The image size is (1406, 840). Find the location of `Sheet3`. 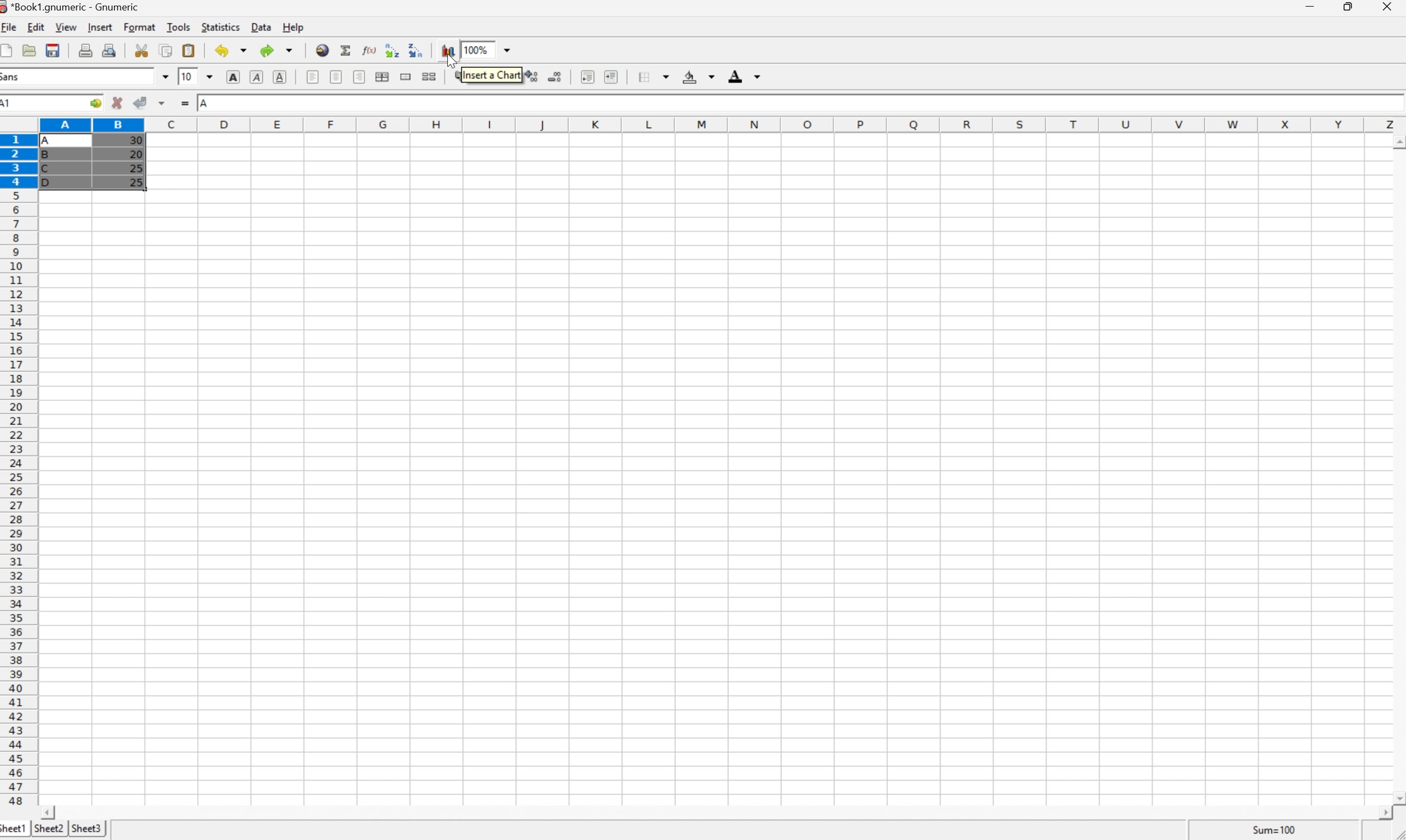

Sheet3 is located at coordinates (88, 827).